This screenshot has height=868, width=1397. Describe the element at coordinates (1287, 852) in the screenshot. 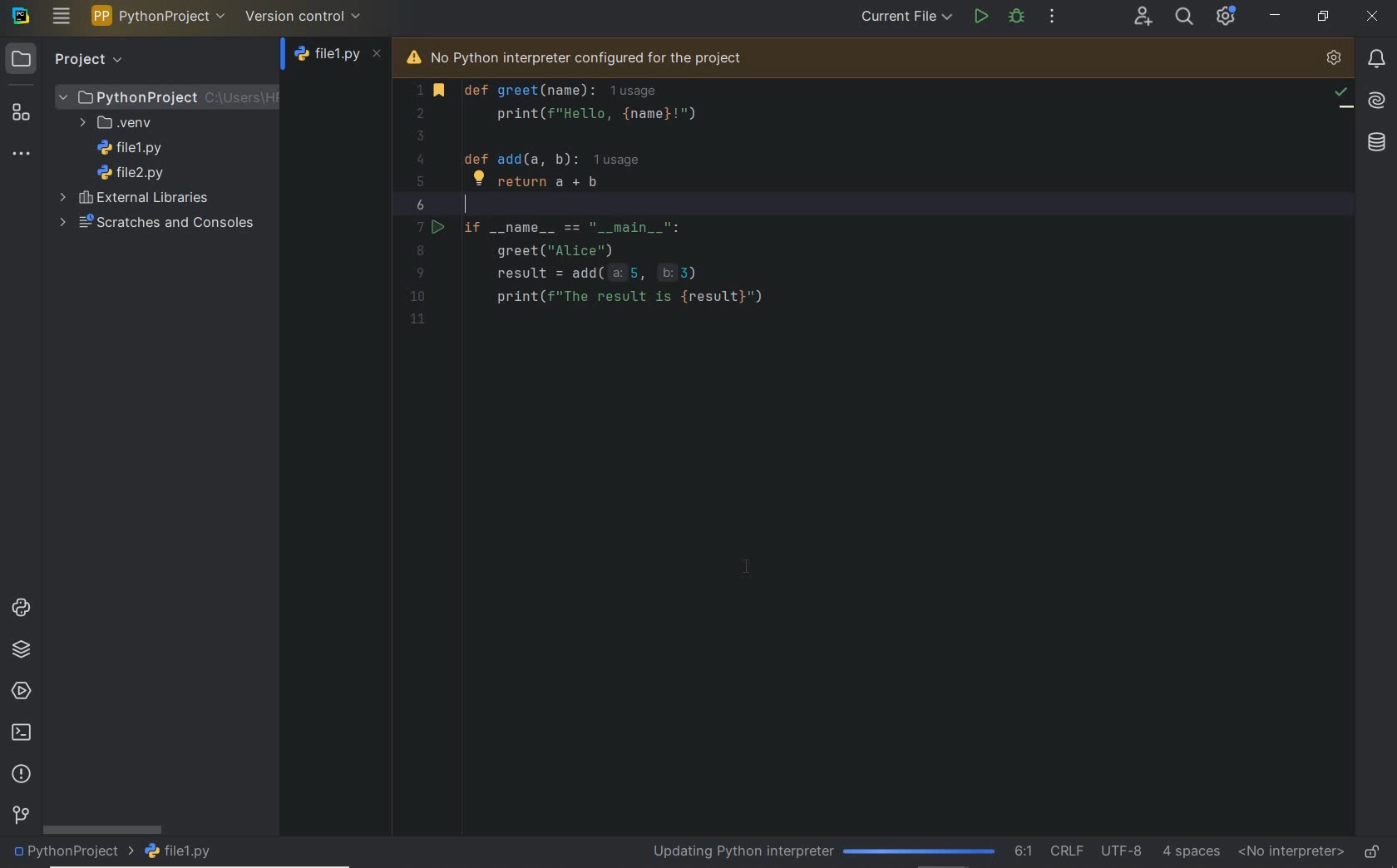

I see `No interpreter` at that location.